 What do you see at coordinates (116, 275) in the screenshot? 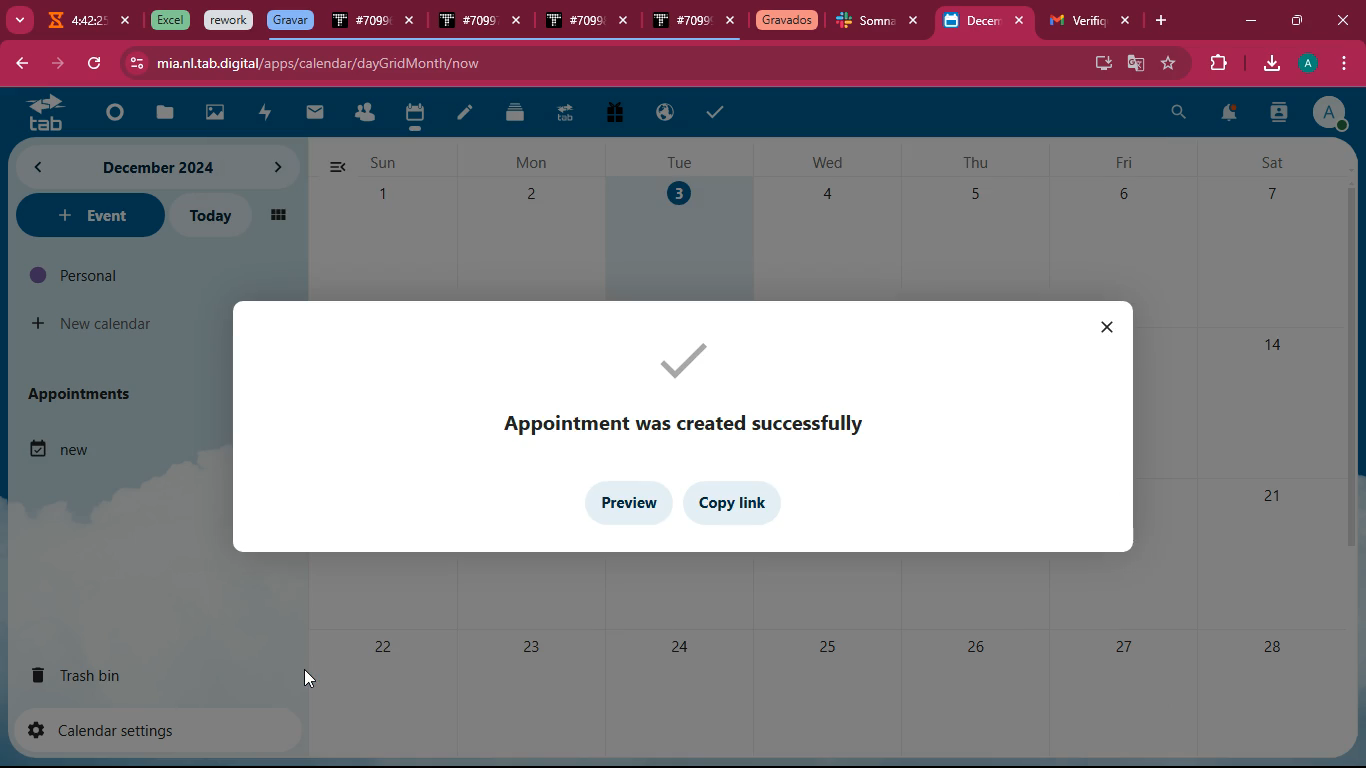
I see `personal` at bounding box center [116, 275].